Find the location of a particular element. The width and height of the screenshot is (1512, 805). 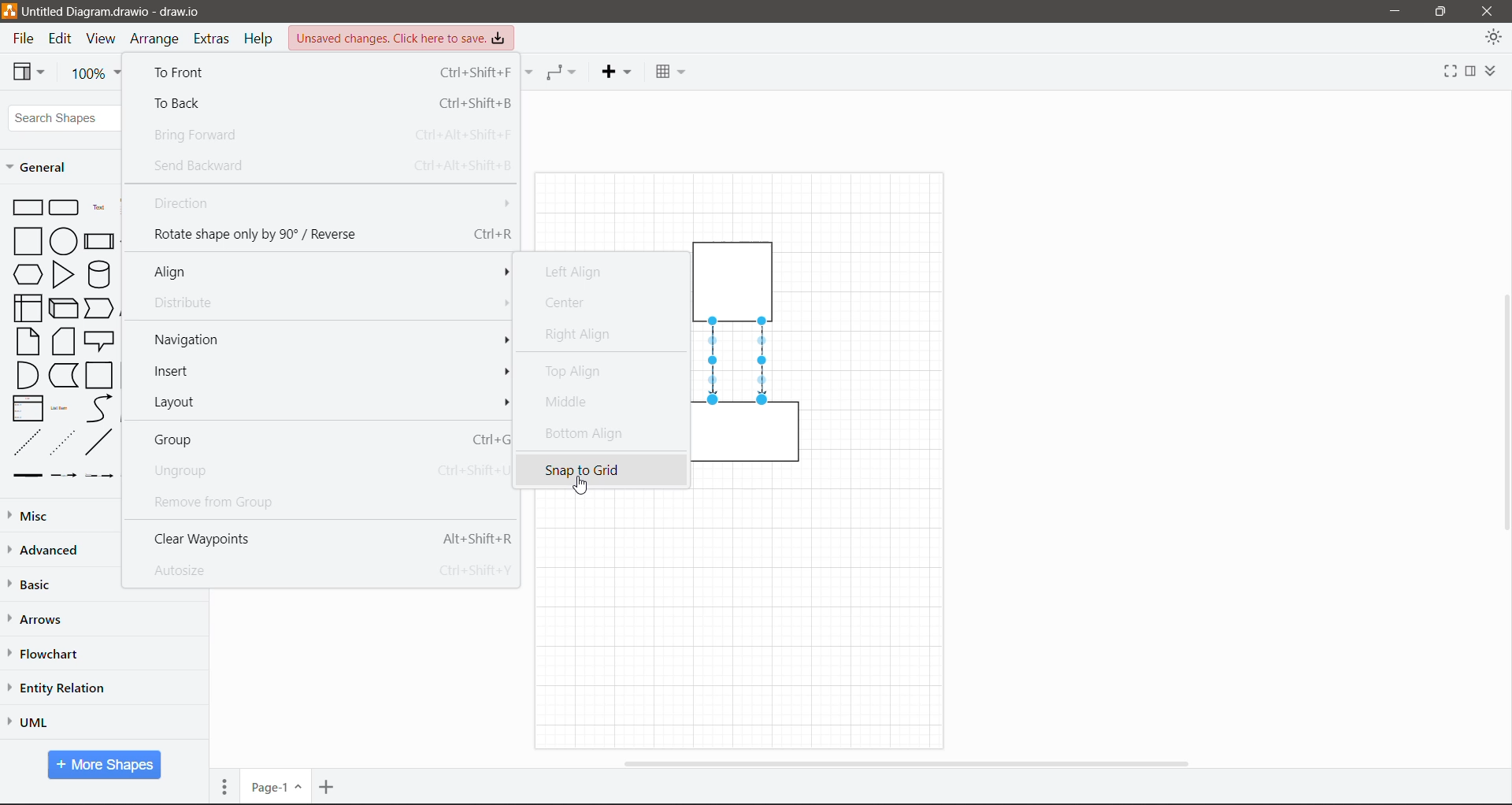

Process is located at coordinates (98, 239).